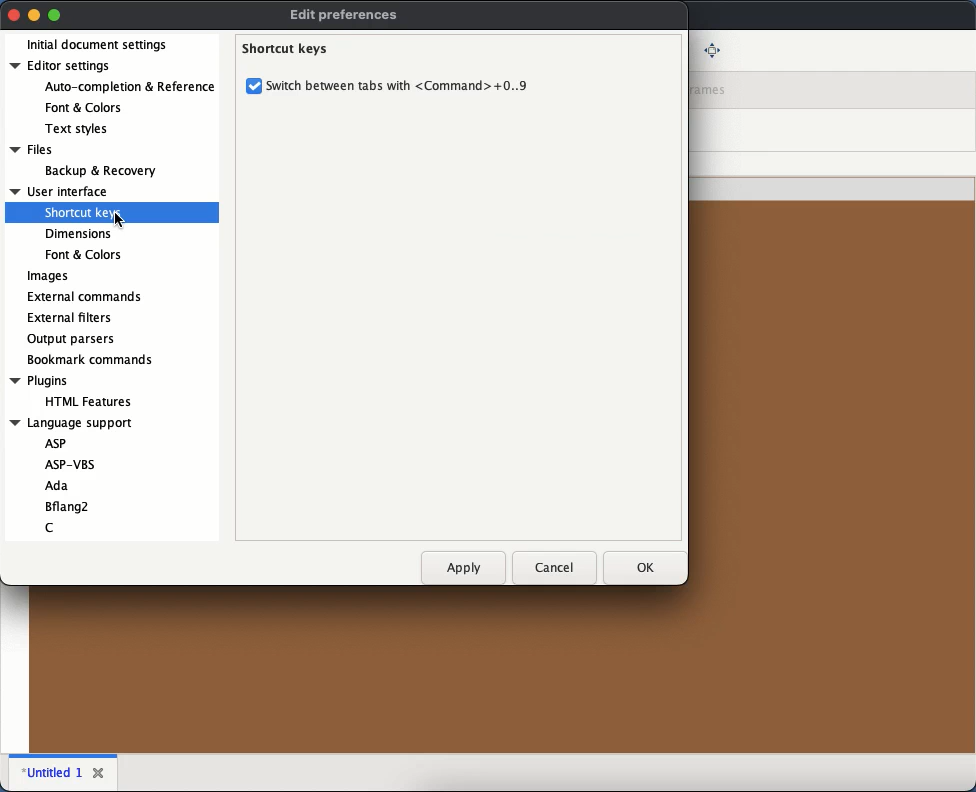 Image resolution: width=976 pixels, height=792 pixels. Describe the element at coordinates (55, 16) in the screenshot. I see `maximize` at that location.